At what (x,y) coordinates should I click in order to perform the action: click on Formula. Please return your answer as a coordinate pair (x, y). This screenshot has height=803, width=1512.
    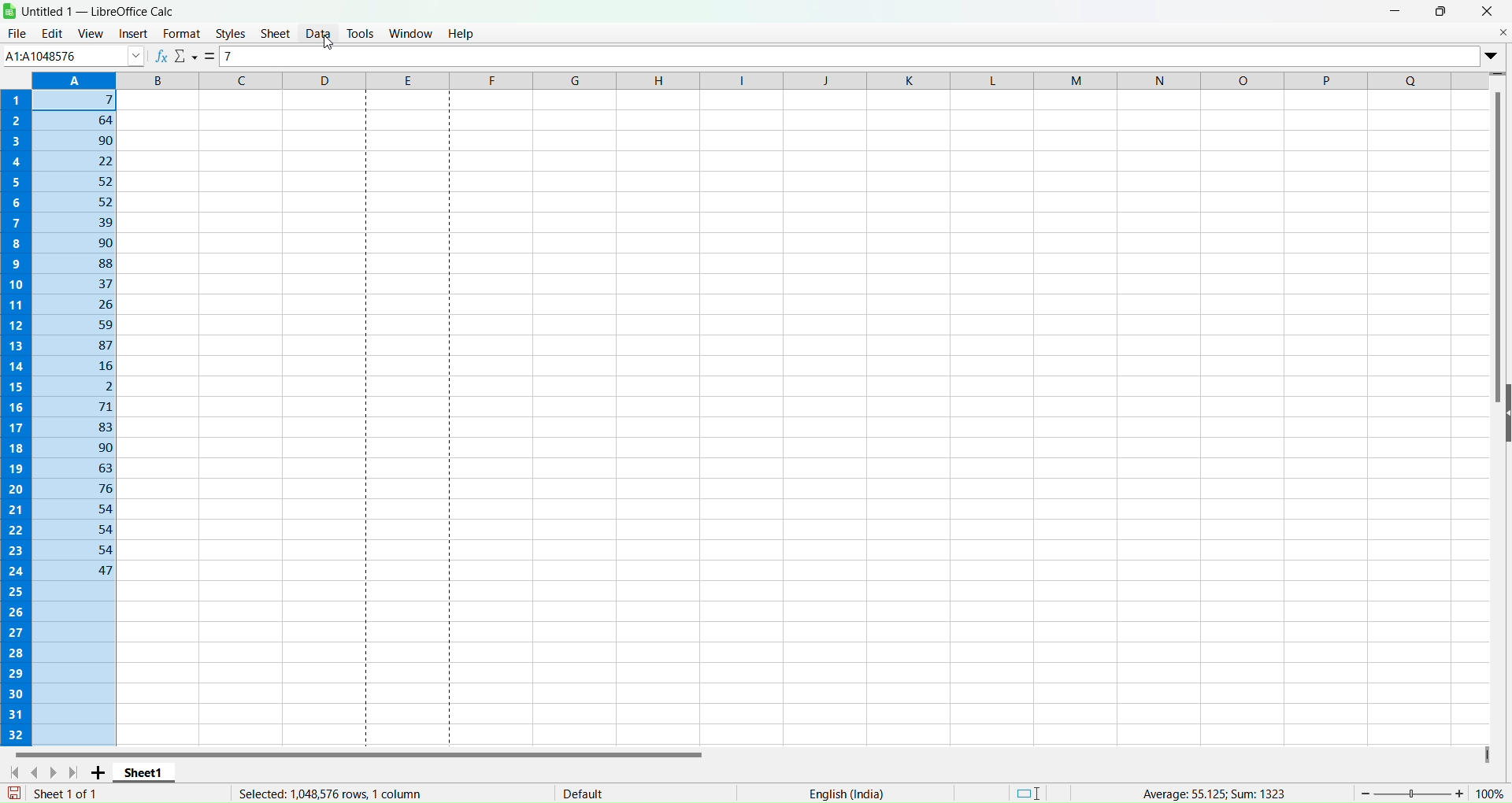
    Looking at the image, I should click on (212, 57).